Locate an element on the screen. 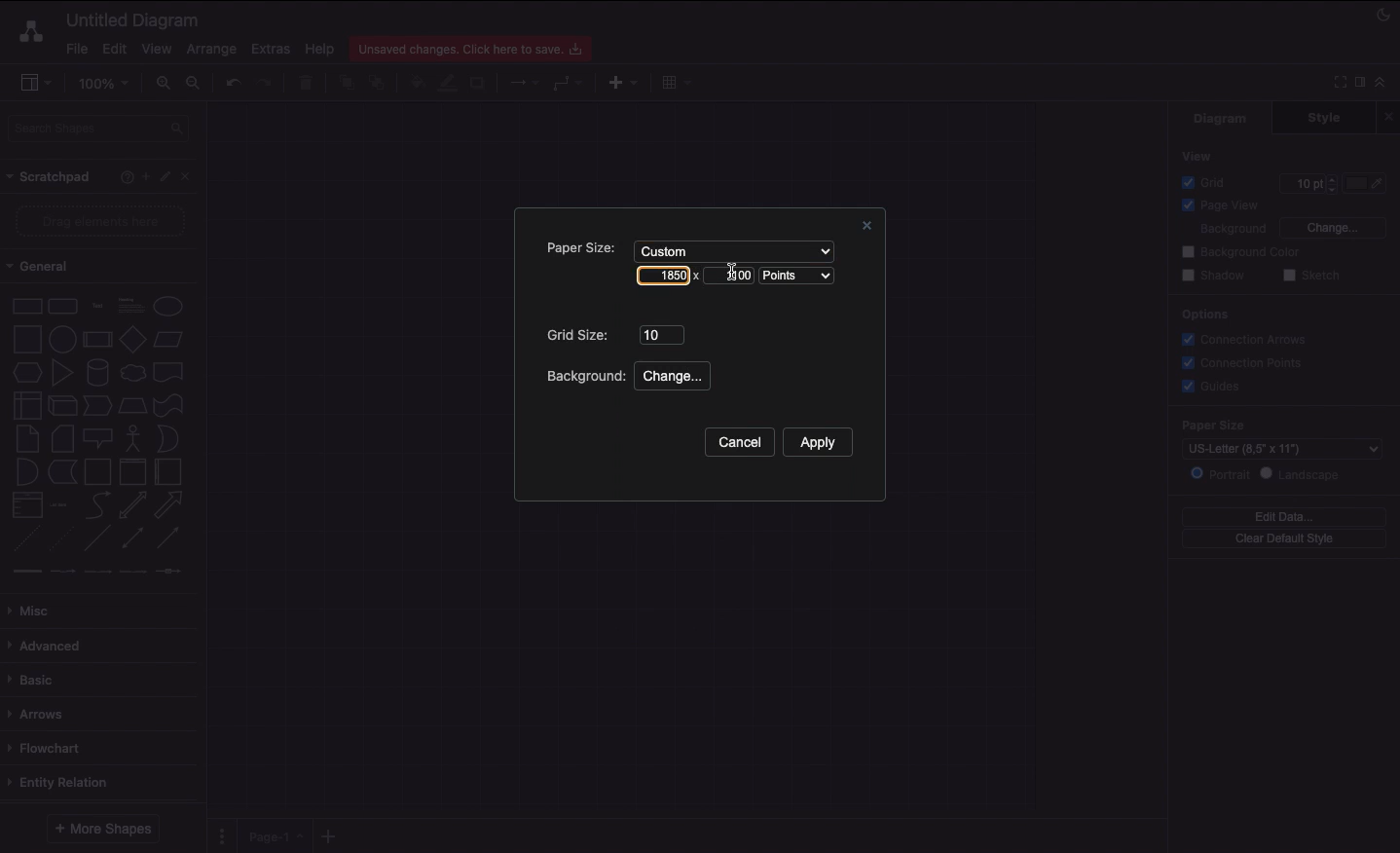 The height and width of the screenshot is (853, 1400). Scrathpad is located at coordinates (50, 177).